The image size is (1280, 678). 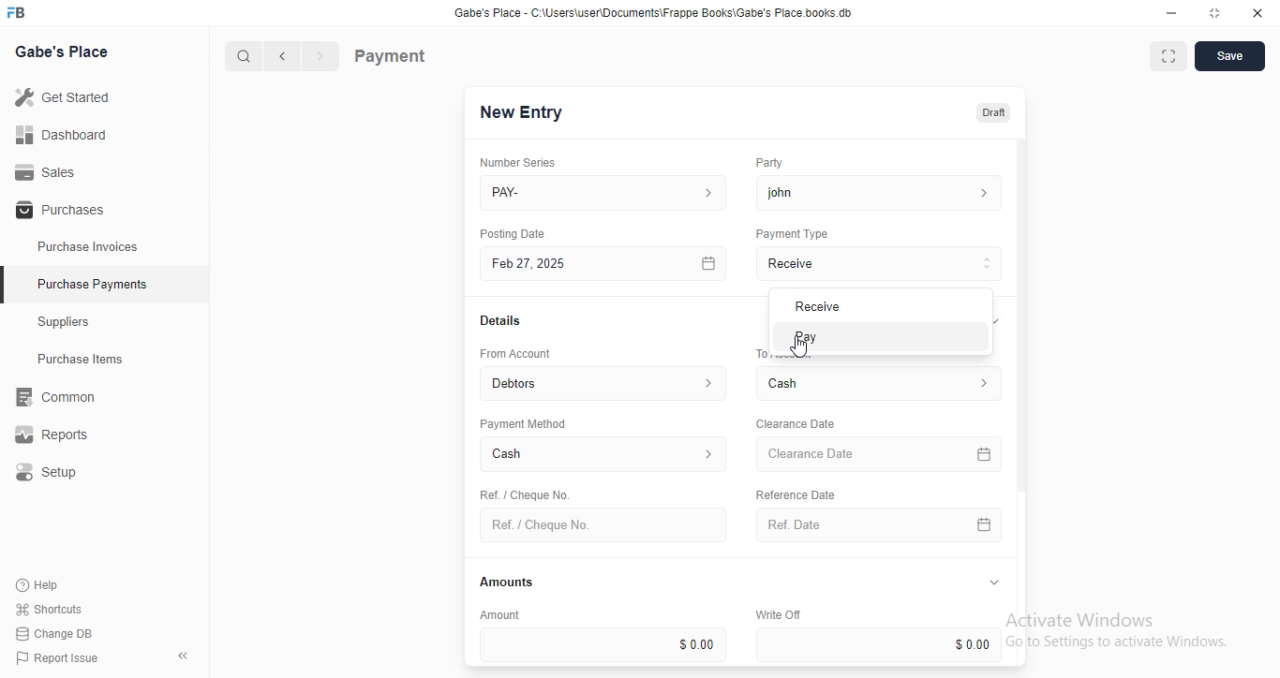 What do you see at coordinates (875, 306) in the screenshot?
I see `Receive` at bounding box center [875, 306].